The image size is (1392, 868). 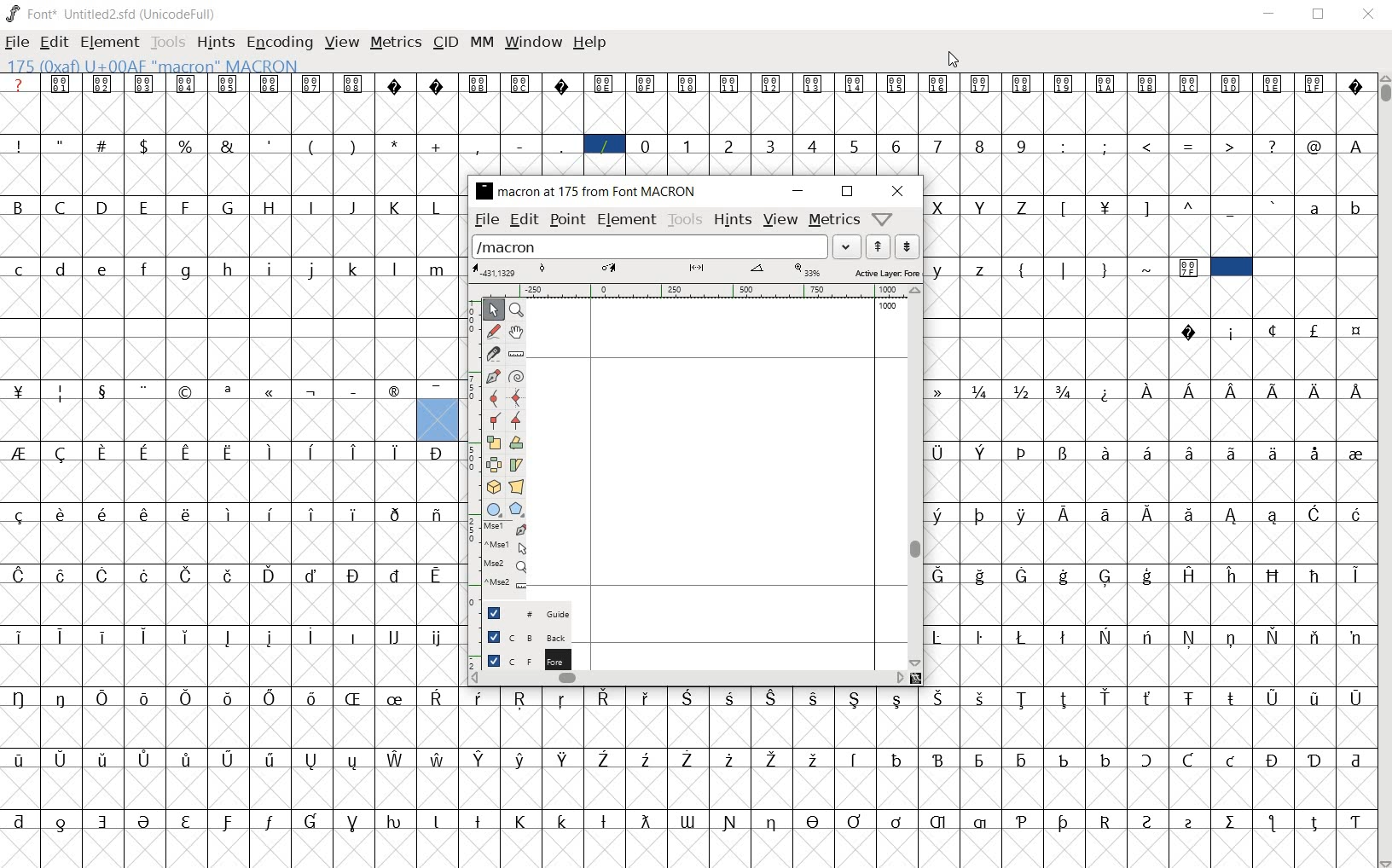 I want to click on Symbol, so click(x=858, y=84).